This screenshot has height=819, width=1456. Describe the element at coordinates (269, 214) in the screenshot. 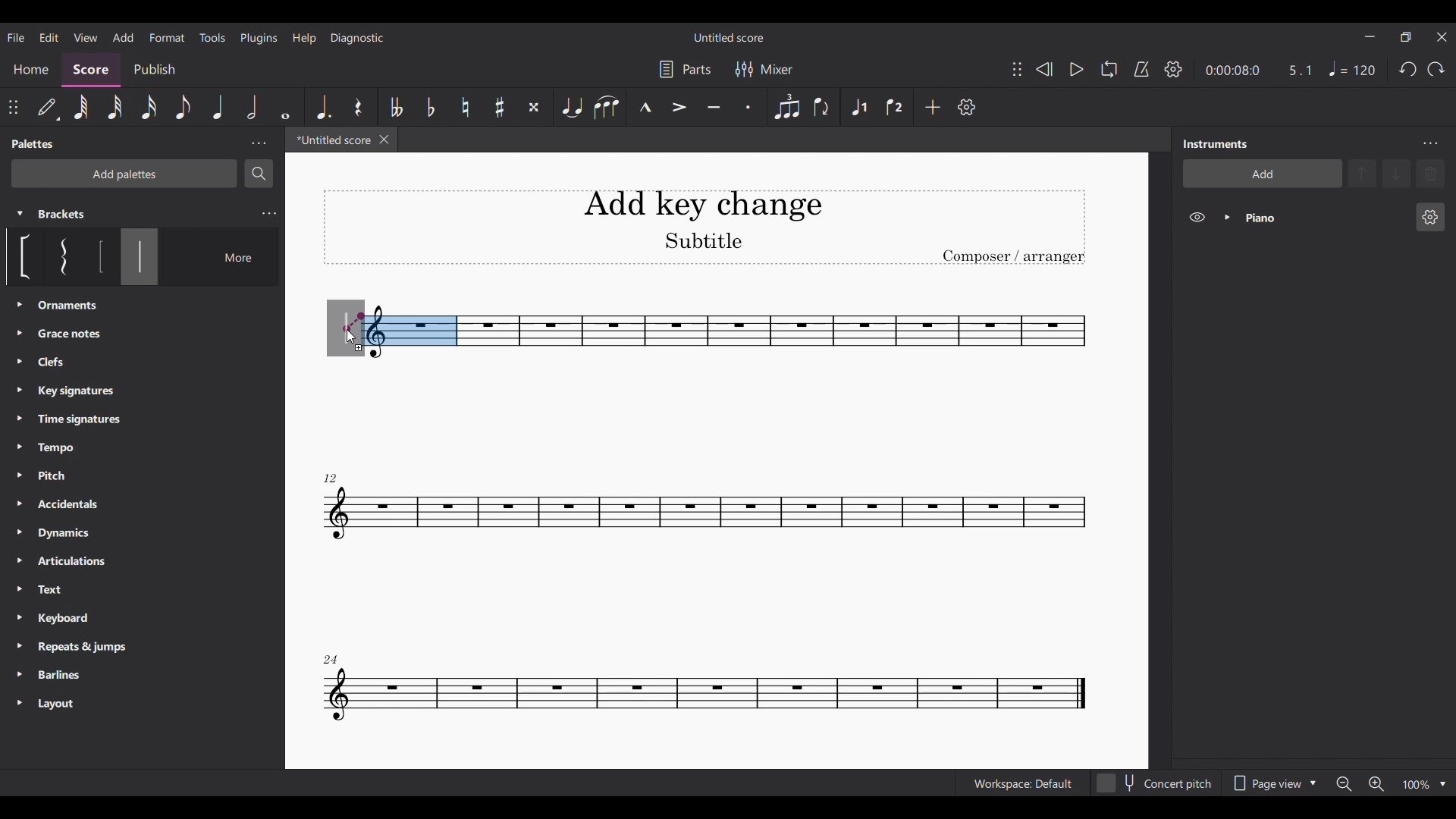

I see `Bracket settings` at that location.